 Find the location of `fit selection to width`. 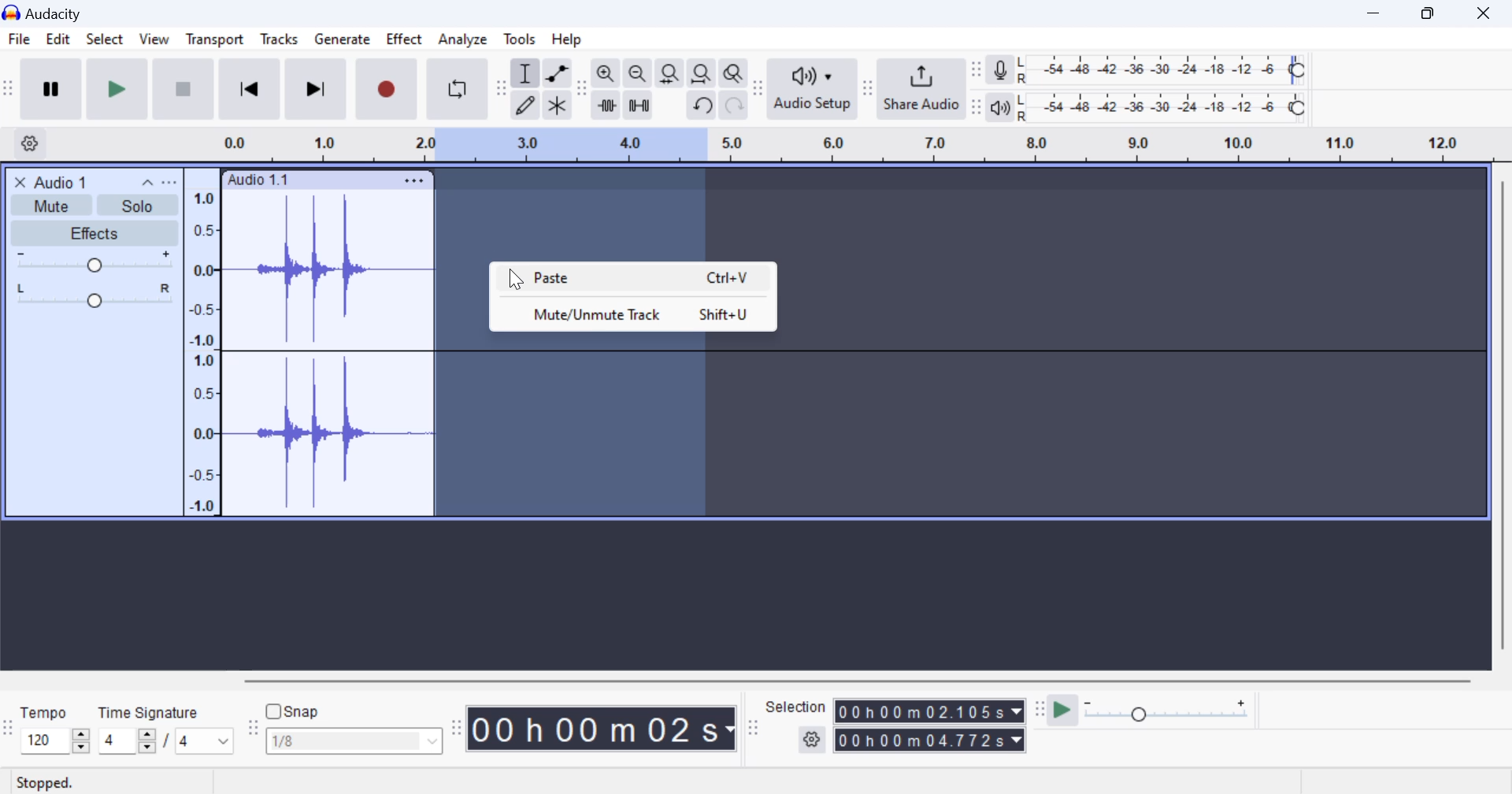

fit selection to width is located at coordinates (668, 75).